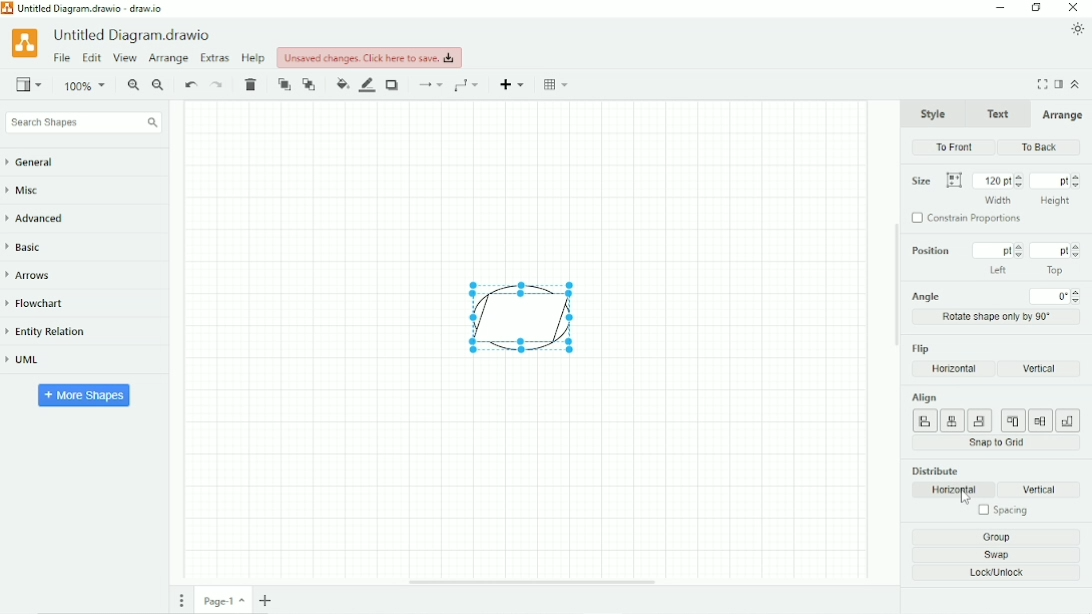 This screenshot has height=614, width=1092. What do you see at coordinates (24, 42) in the screenshot?
I see `Logo` at bounding box center [24, 42].